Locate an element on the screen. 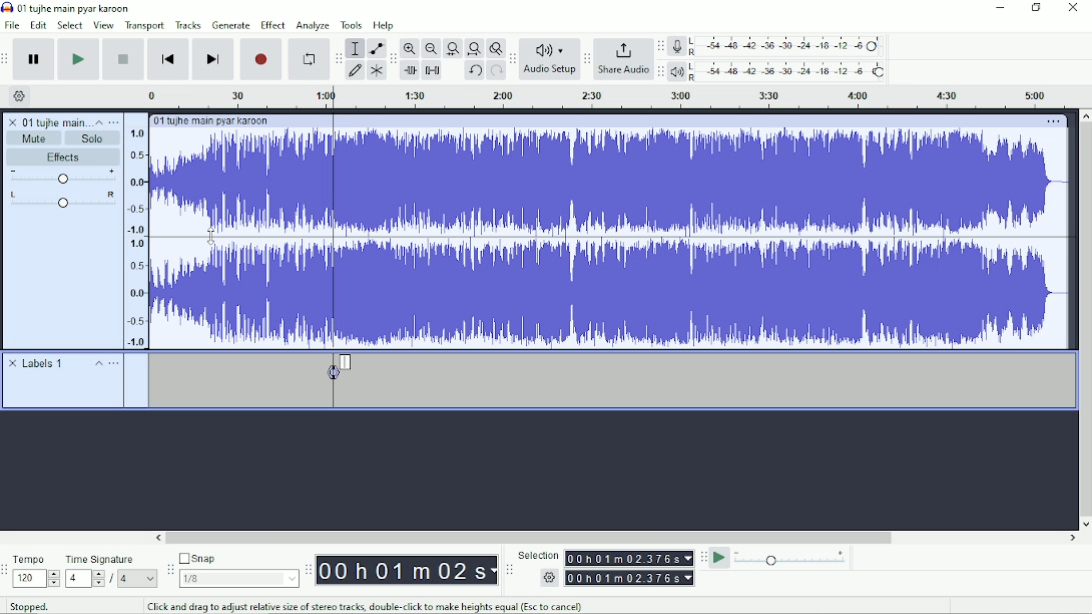 Image resolution: width=1092 pixels, height=614 pixels. Minimize is located at coordinates (1001, 8).